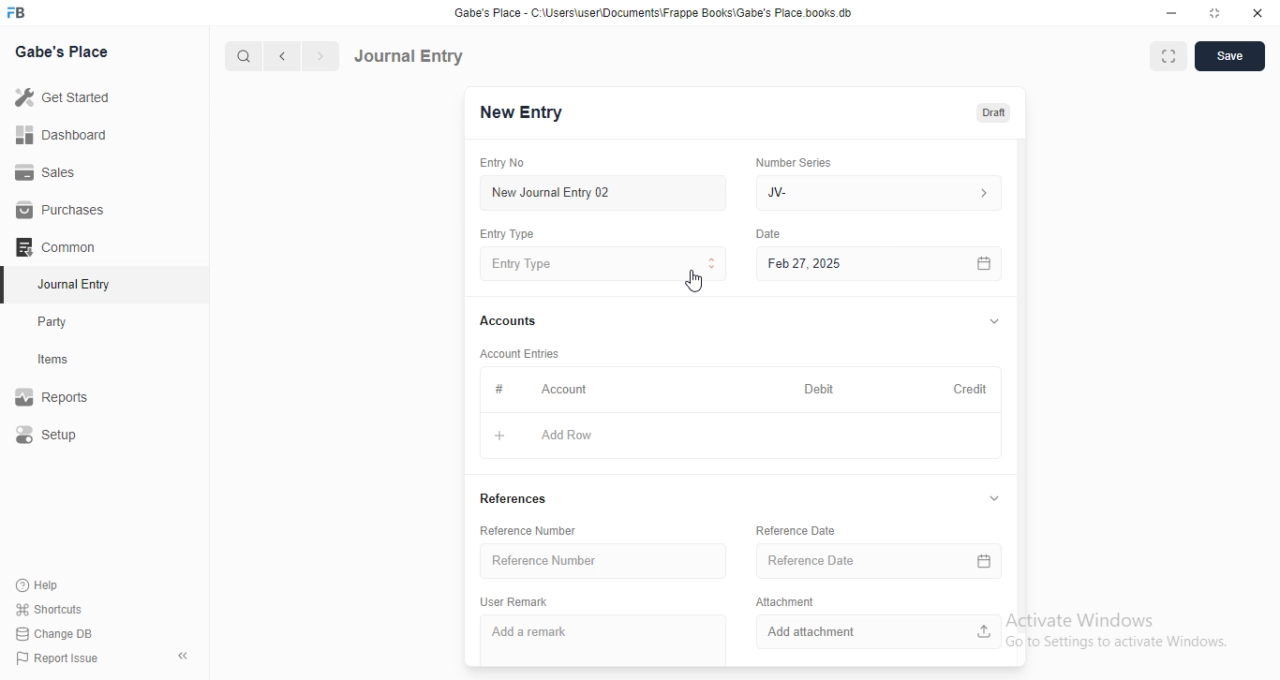  I want to click on Journal Entry, so click(412, 55).